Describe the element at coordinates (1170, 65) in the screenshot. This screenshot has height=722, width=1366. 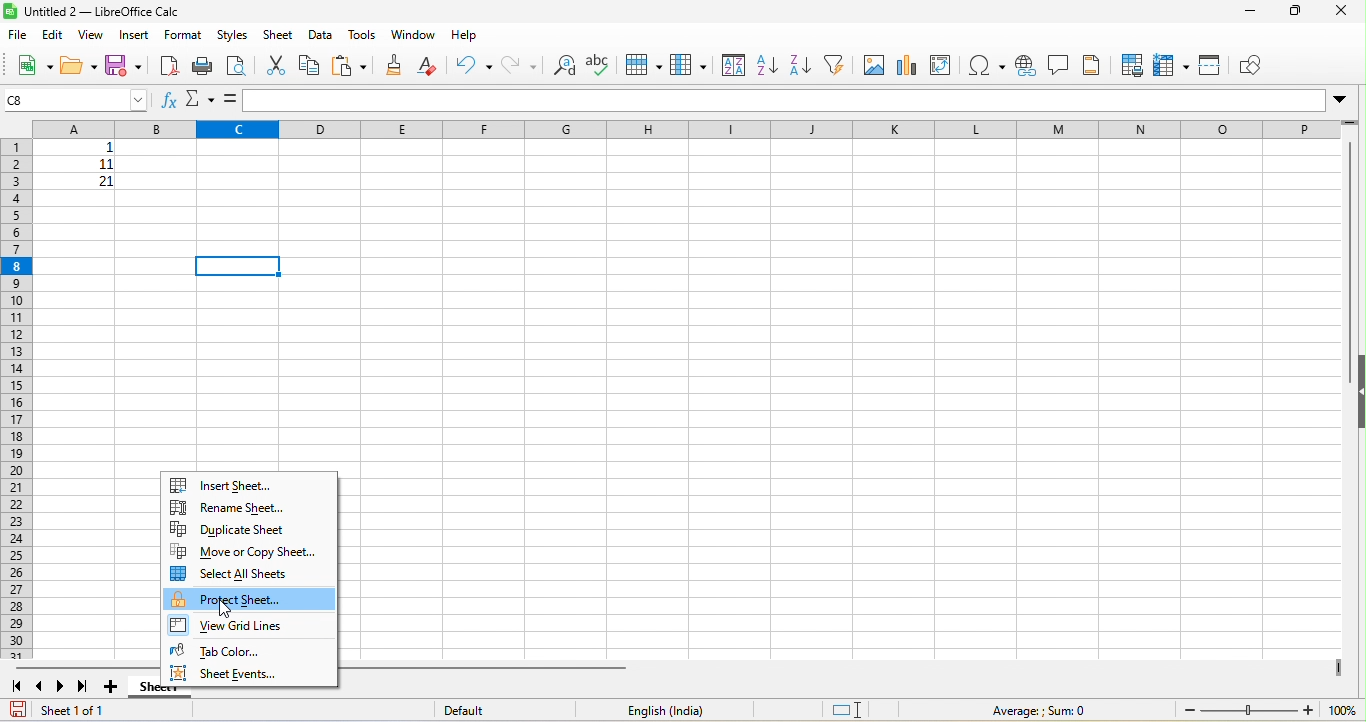
I see `freeze rows and columns` at that location.